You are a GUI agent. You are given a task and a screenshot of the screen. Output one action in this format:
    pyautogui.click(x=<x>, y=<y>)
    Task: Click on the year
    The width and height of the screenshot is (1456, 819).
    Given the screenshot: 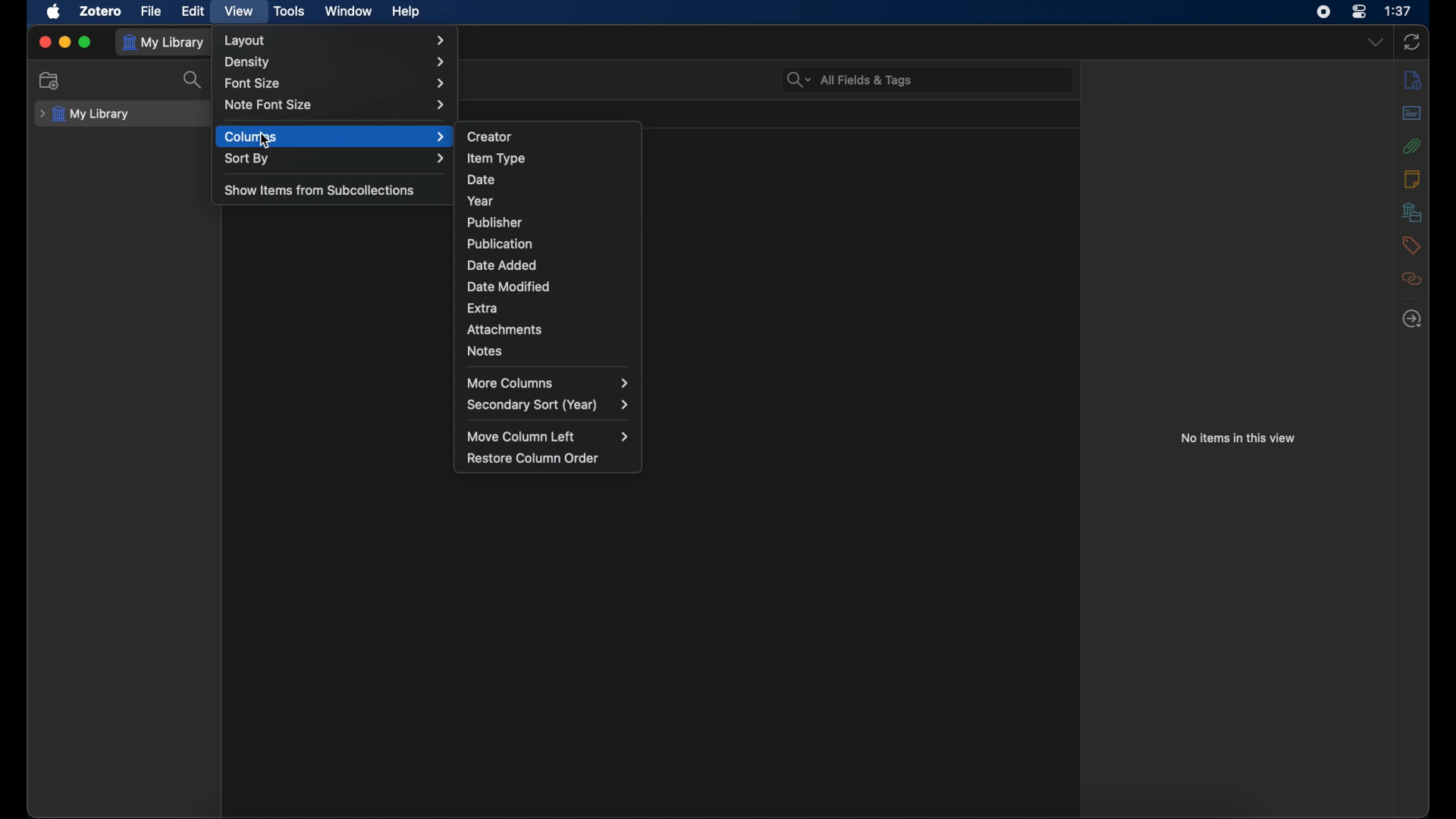 What is the action you would take?
    pyautogui.click(x=482, y=201)
    